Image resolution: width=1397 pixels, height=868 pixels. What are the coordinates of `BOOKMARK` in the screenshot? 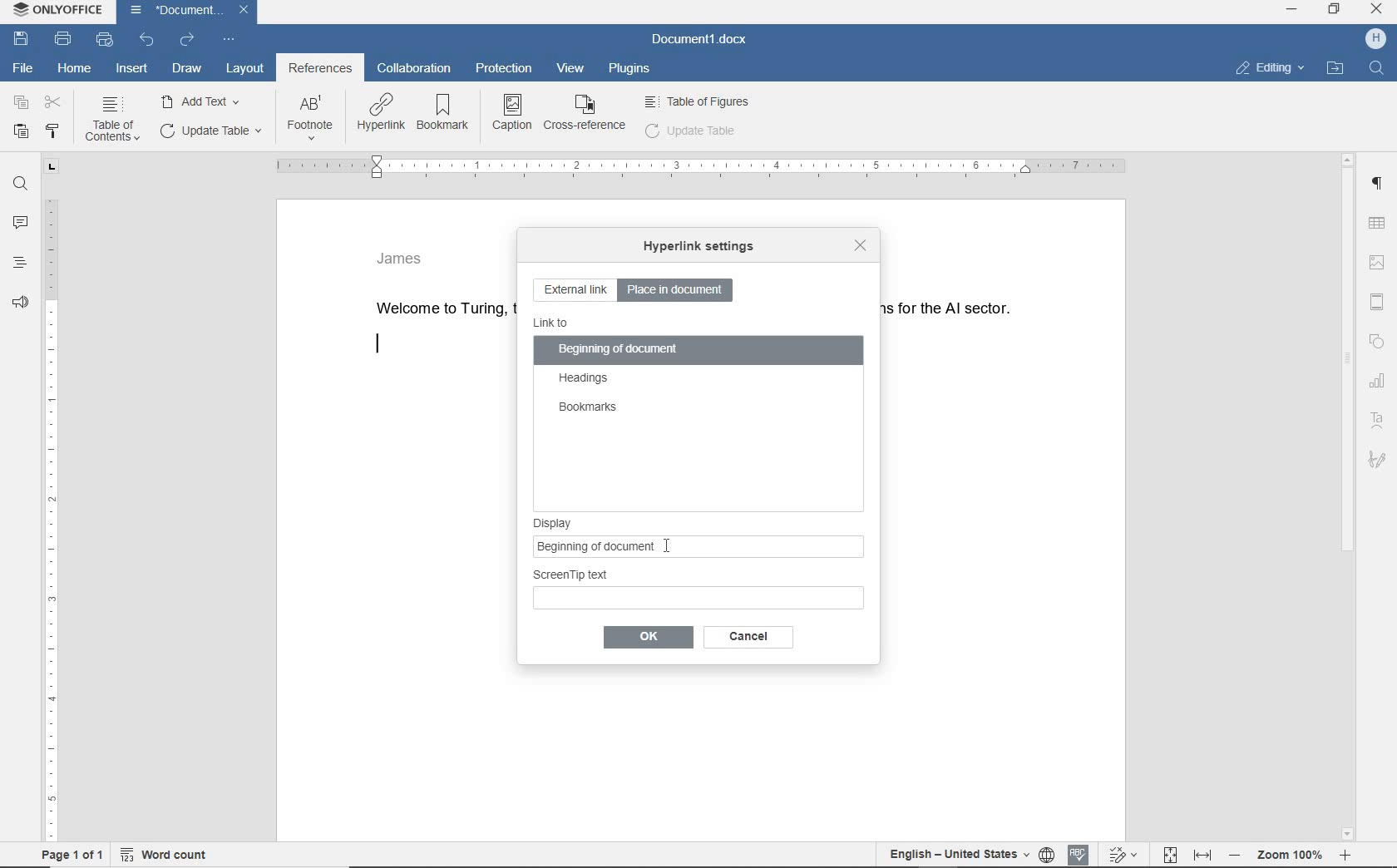 It's located at (447, 113).